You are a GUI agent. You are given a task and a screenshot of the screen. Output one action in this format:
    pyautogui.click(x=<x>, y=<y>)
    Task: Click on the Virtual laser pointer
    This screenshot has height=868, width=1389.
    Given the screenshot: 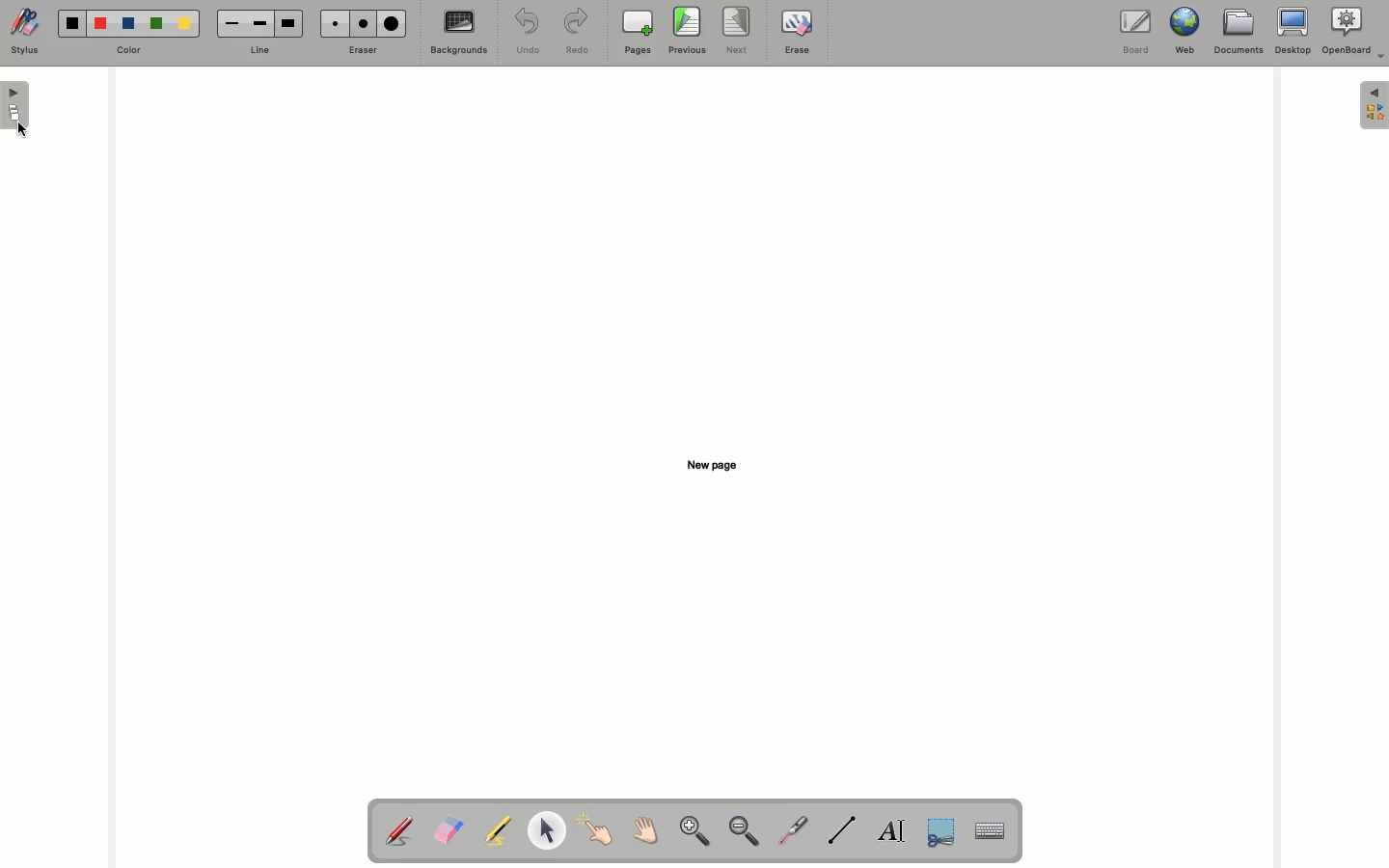 What is the action you would take?
    pyautogui.click(x=790, y=830)
    